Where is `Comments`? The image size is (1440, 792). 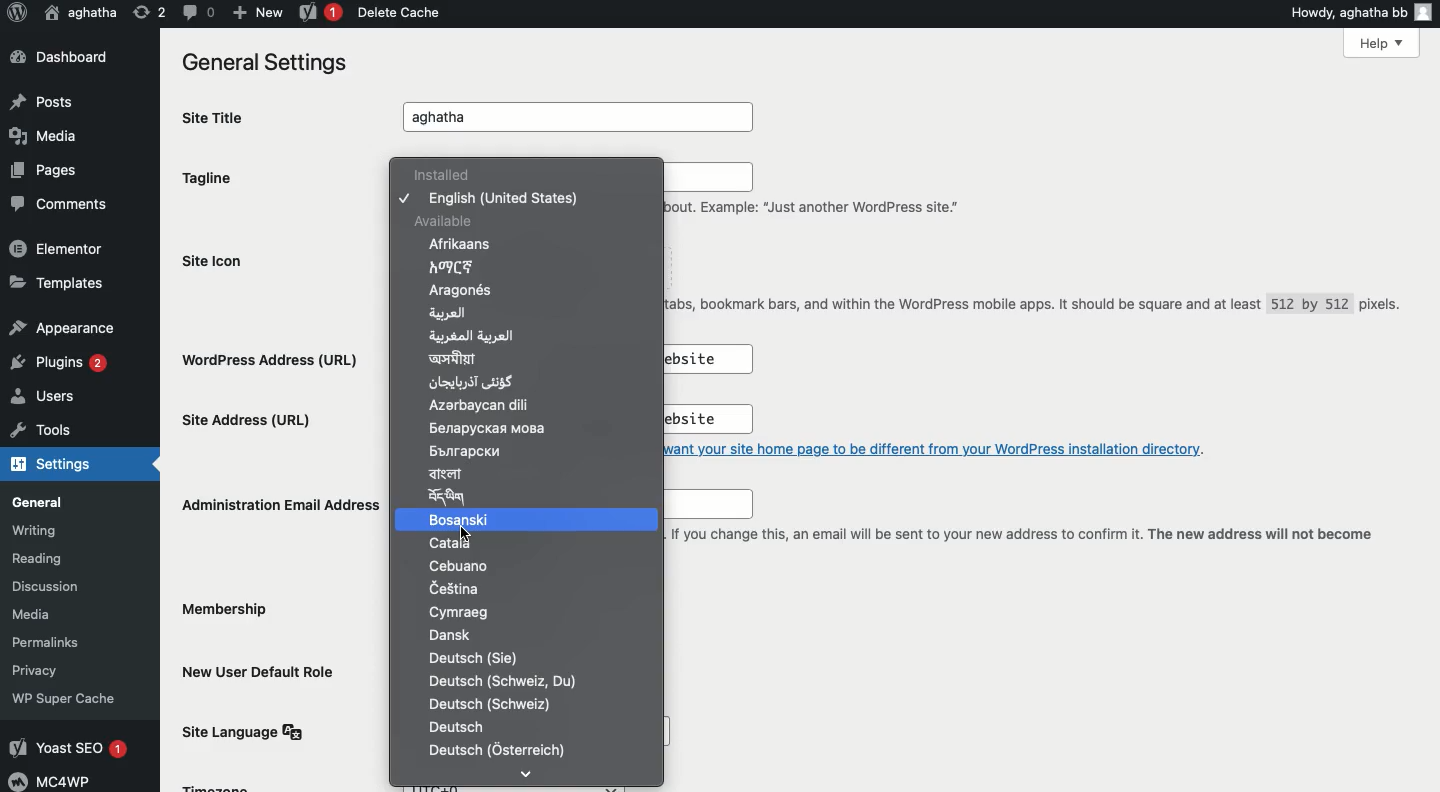 Comments is located at coordinates (54, 201).